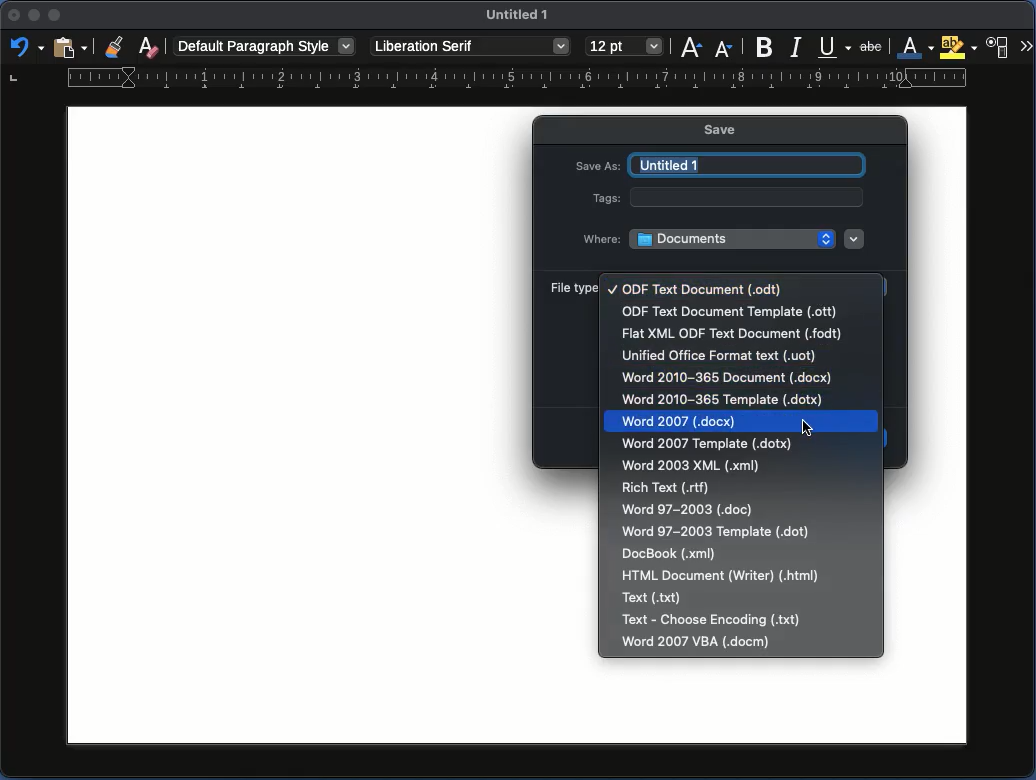 This screenshot has width=1036, height=780. What do you see at coordinates (572, 287) in the screenshot?
I see `file type` at bounding box center [572, 287].